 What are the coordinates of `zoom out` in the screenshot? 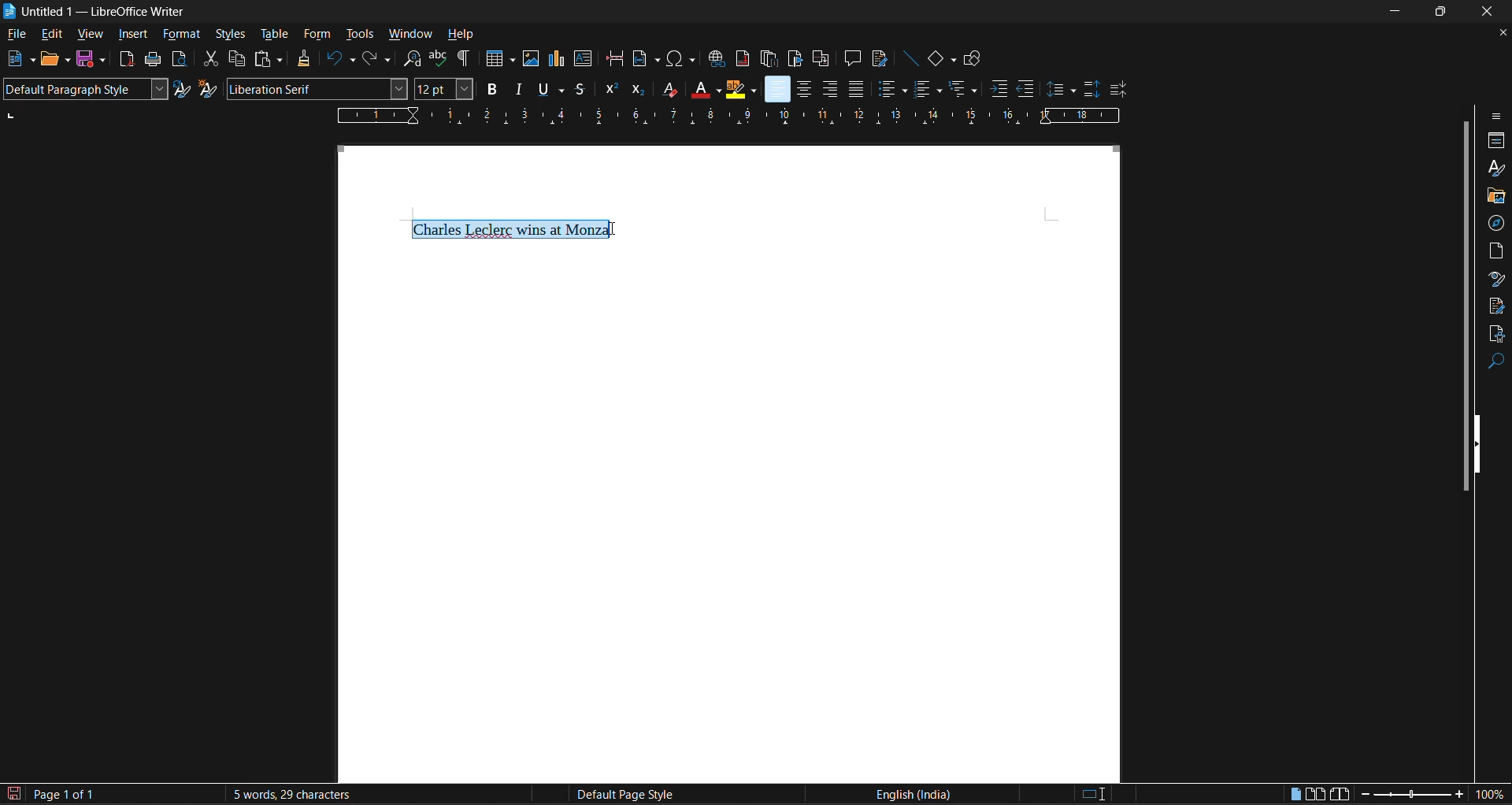 It's located at (1361, 796).